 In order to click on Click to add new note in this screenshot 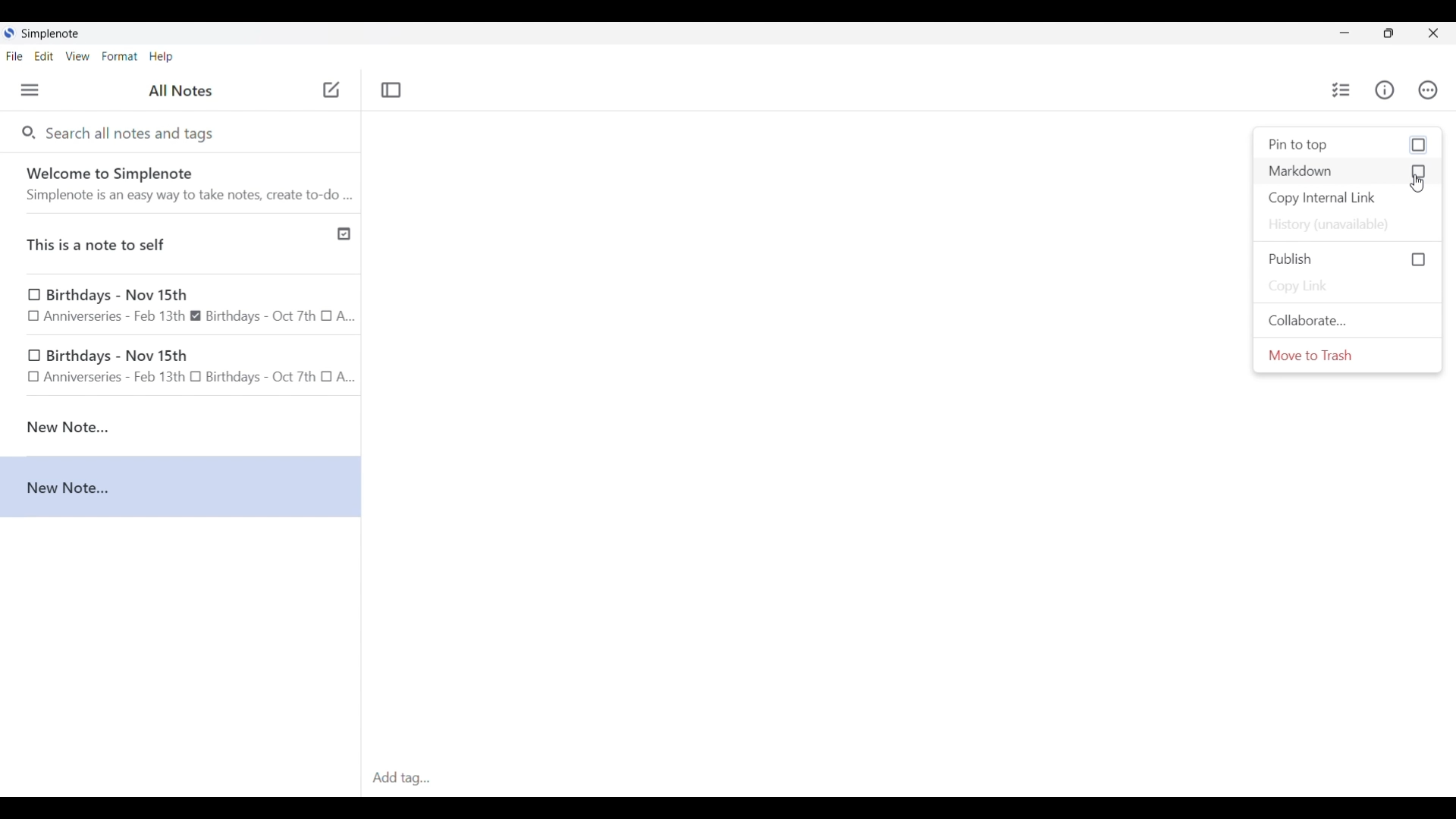, I will do `click(331, 89)`.